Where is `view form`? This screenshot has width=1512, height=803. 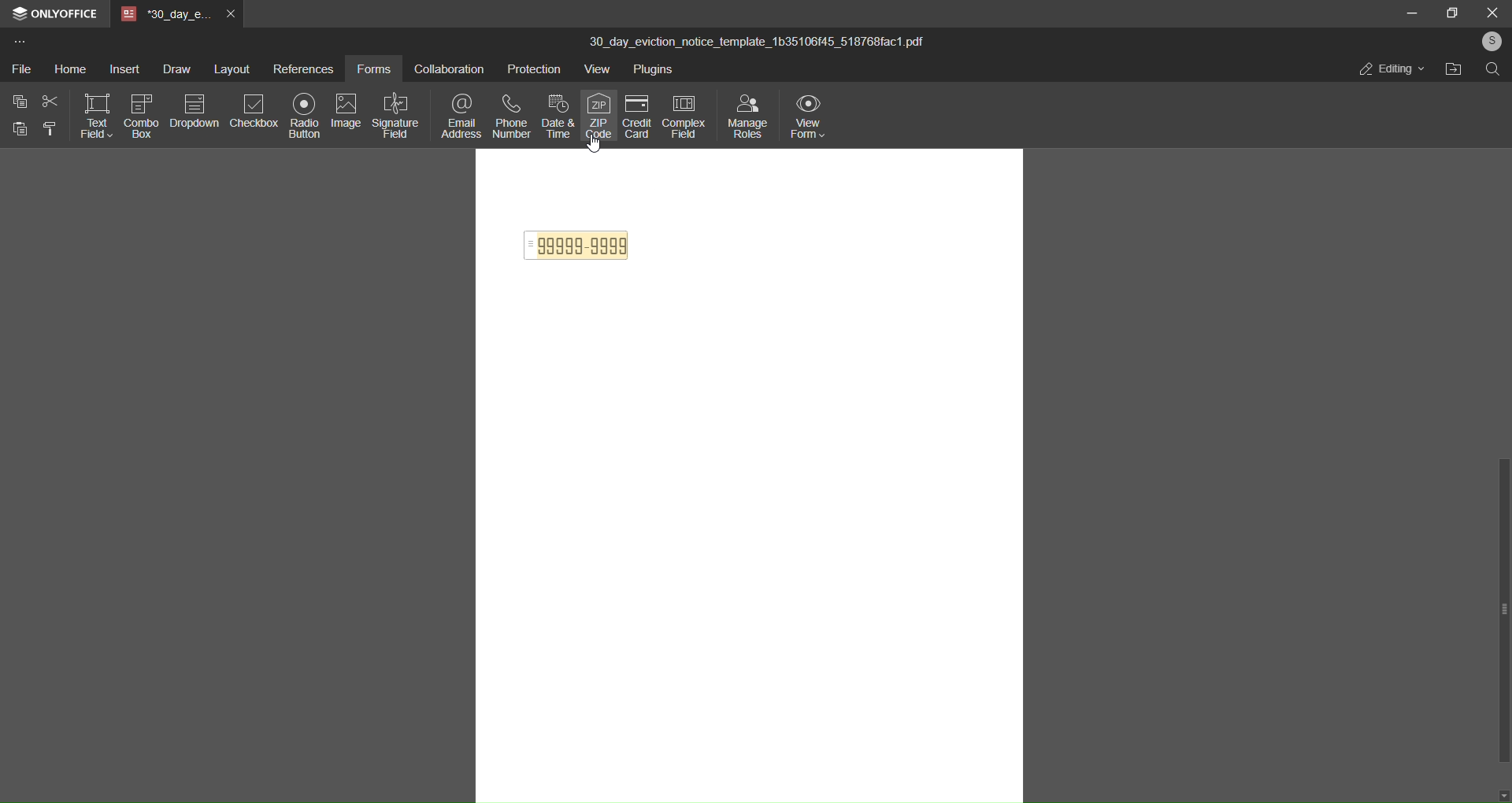 view form is located at coordinates (808, 116).